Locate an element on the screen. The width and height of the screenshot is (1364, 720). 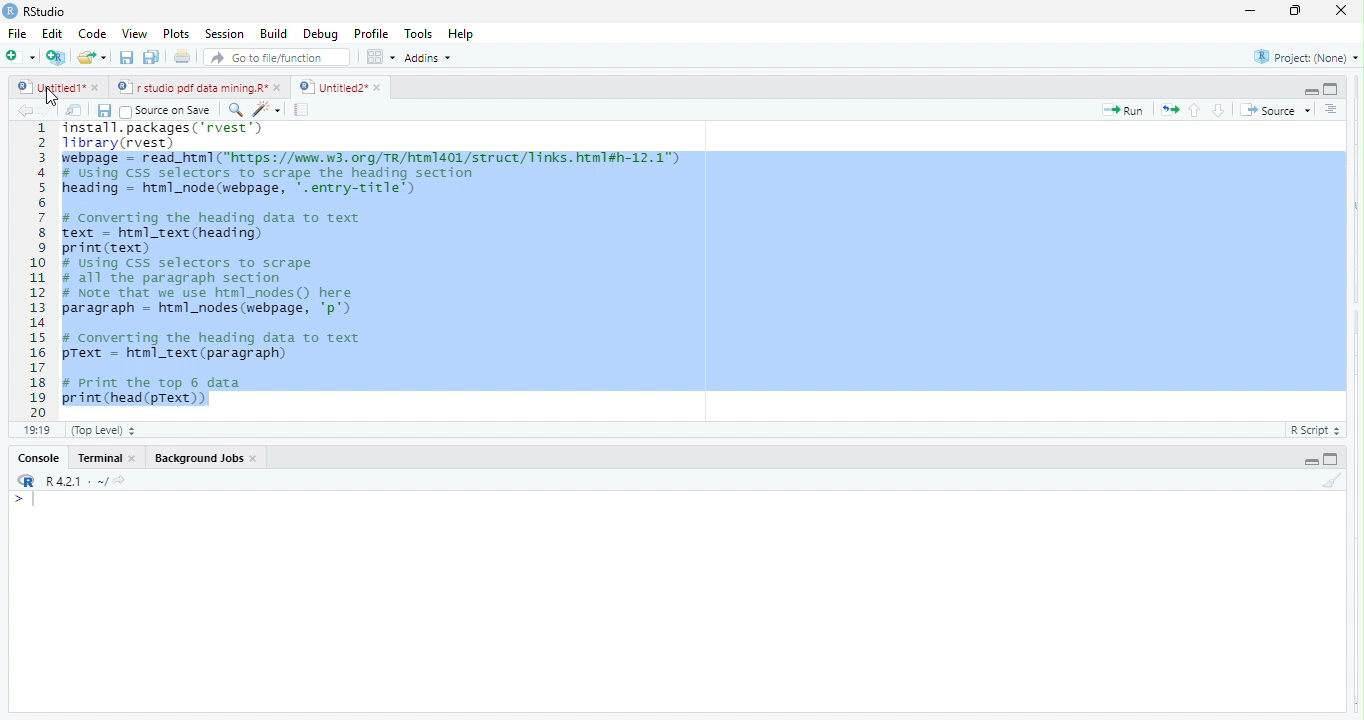
option is located at coordinates (380, 56).